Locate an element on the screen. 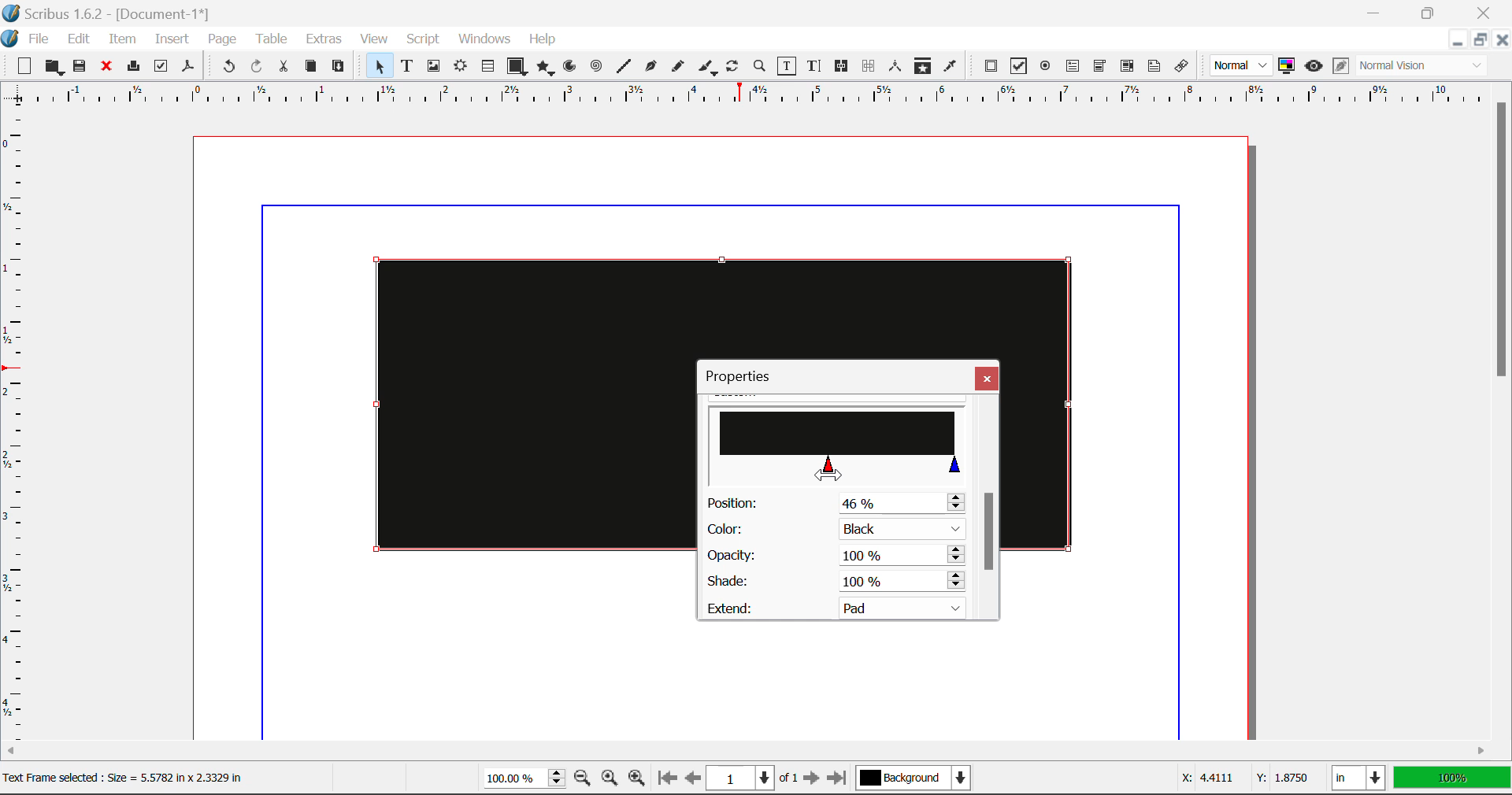 This screenshot has height=795, width=1512. PDF Radio Button is located at coordinates (1045, 68).